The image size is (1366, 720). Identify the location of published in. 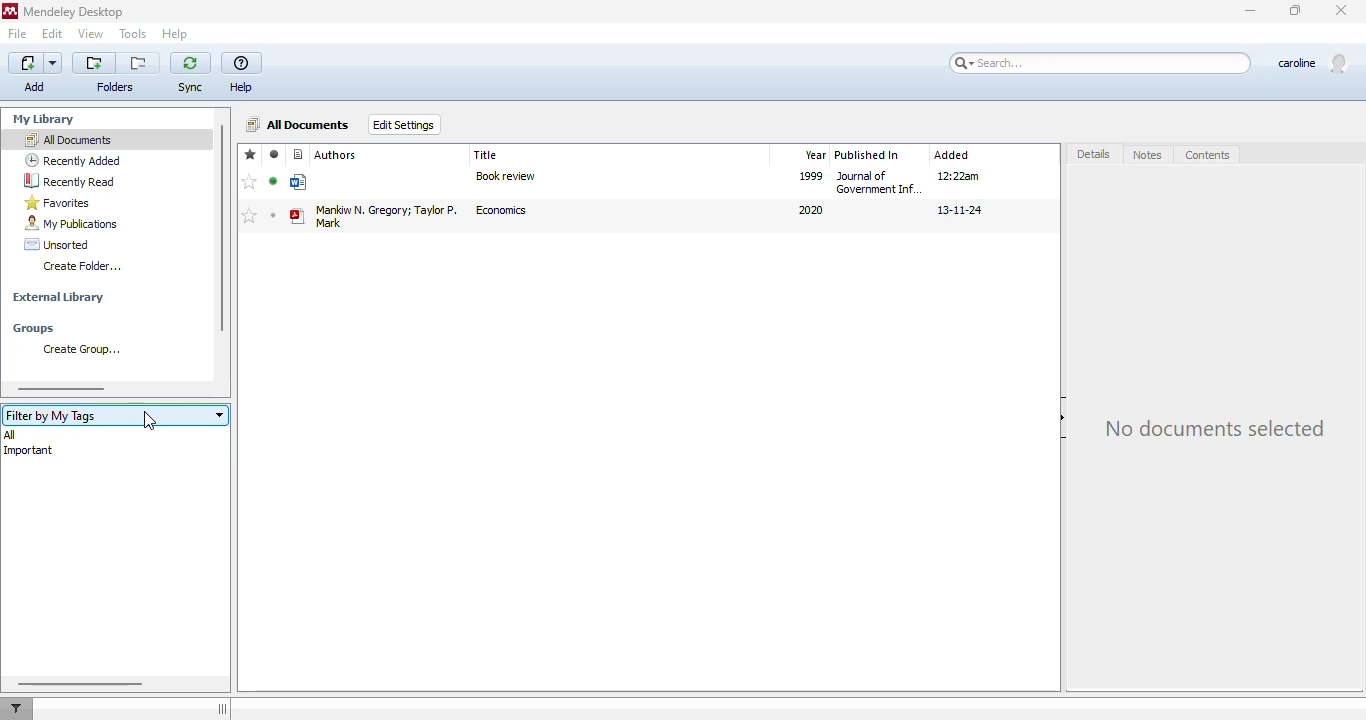
(867, 155).